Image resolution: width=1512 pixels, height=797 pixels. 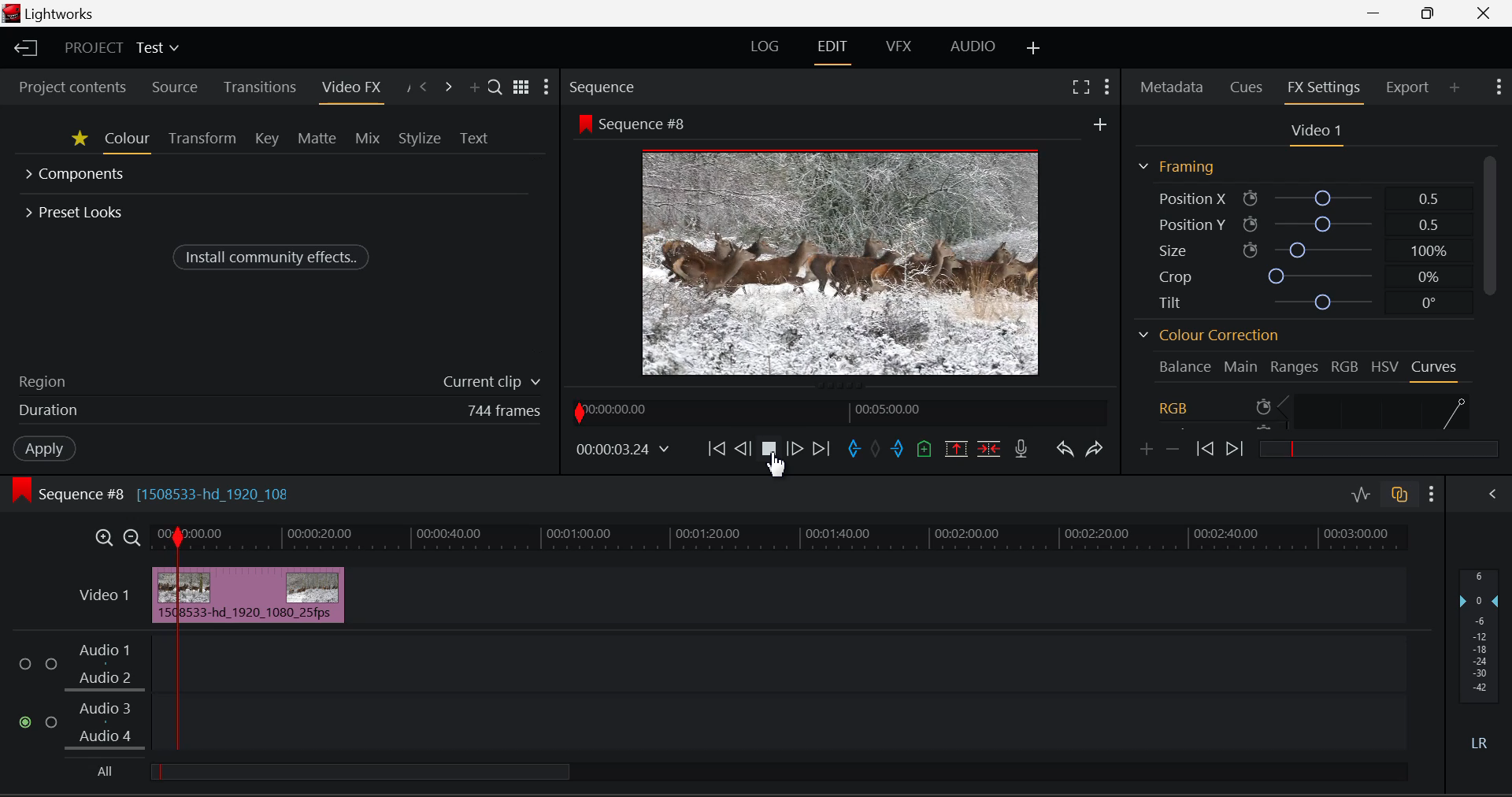 What do you see at coordinates (1492, 496) in the screenshot?
I see `Show Audio Mix` at bounding box center [1492, 496].